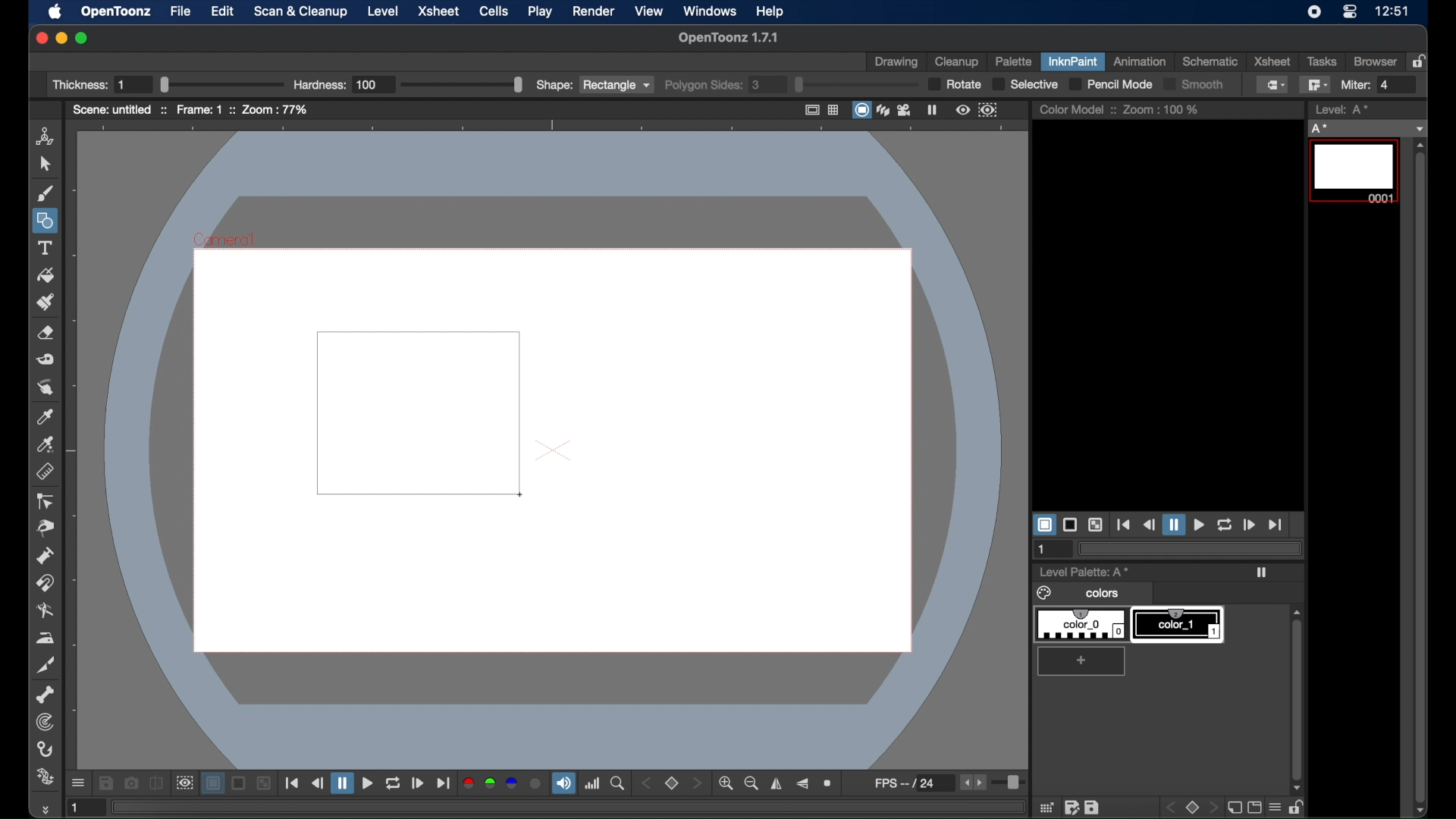  Describe the element at coordinates (45, 695) in the screenshot. I see `skeleton tool` at that location.